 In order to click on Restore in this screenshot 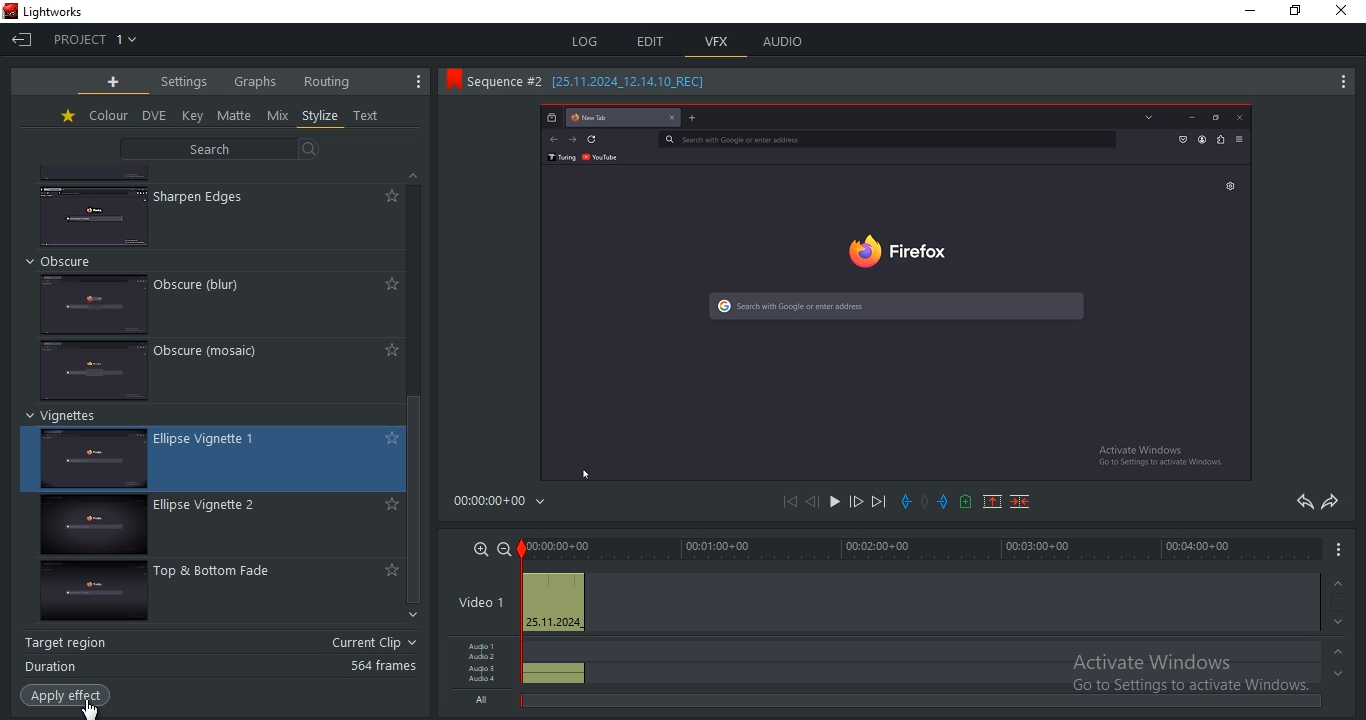, I will do `click(1301, 9)`.